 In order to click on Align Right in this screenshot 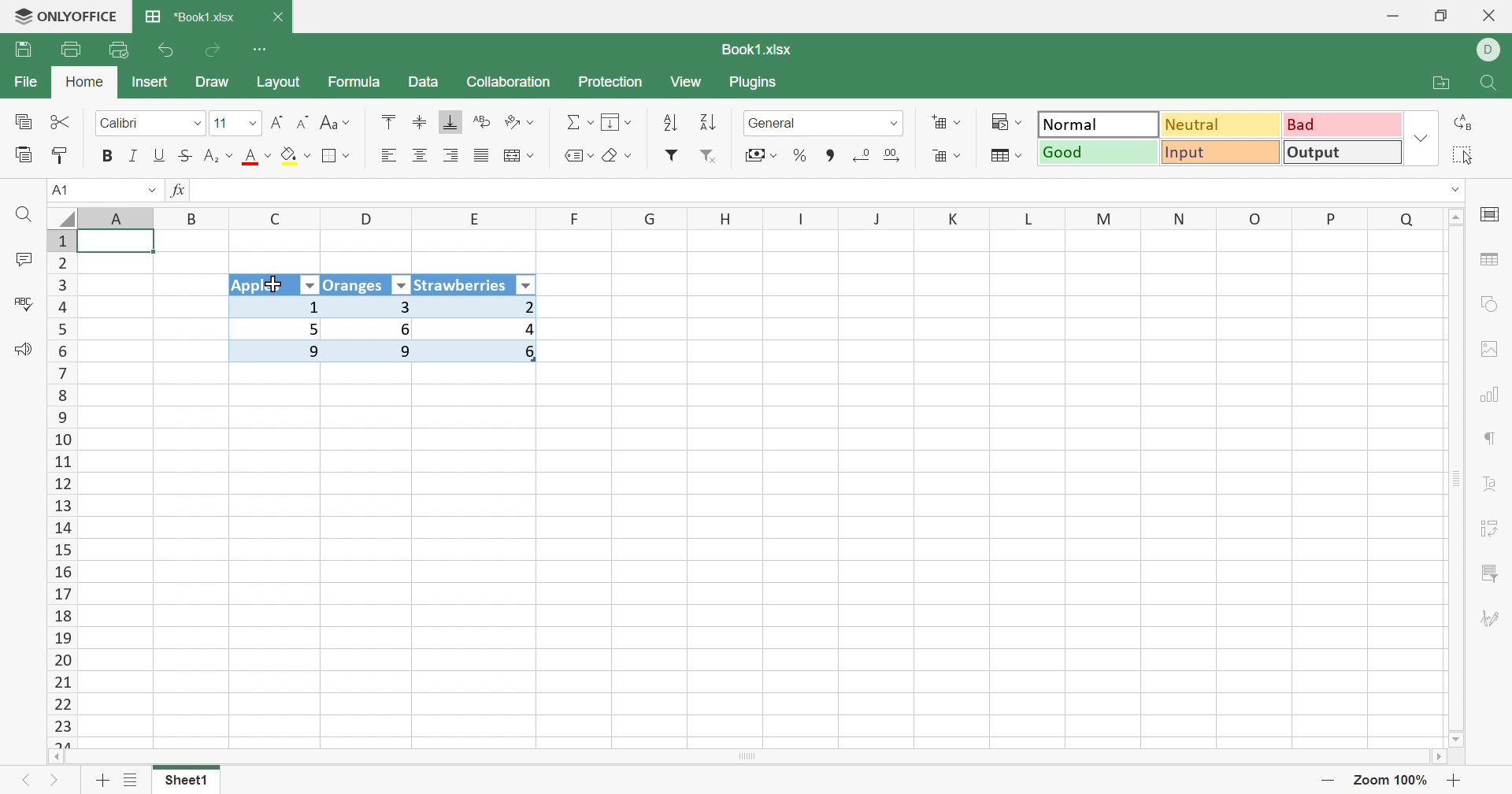, I will do `click(453, 155)`.